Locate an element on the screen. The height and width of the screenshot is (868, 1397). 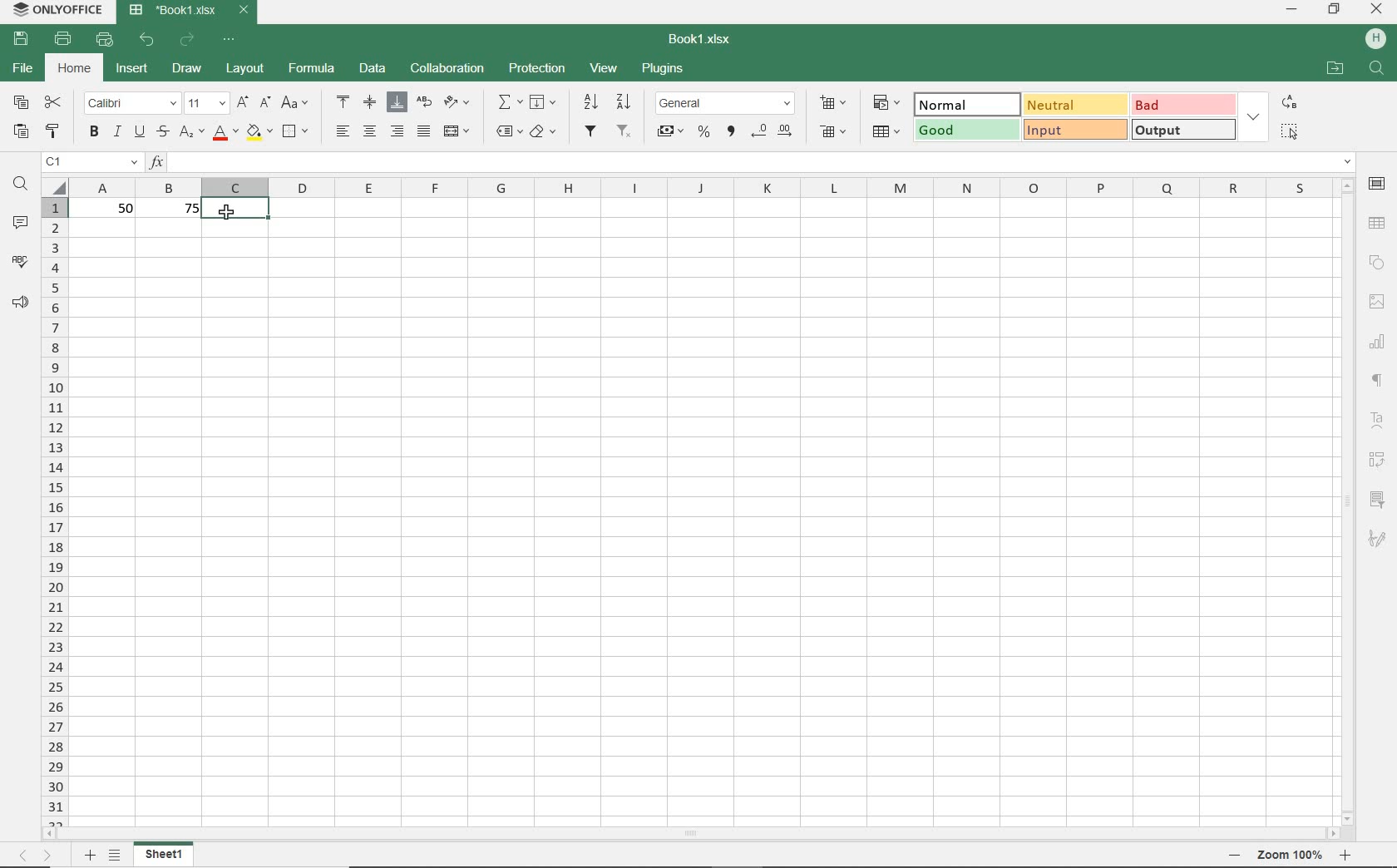
print is located at coordinates (64, 41).